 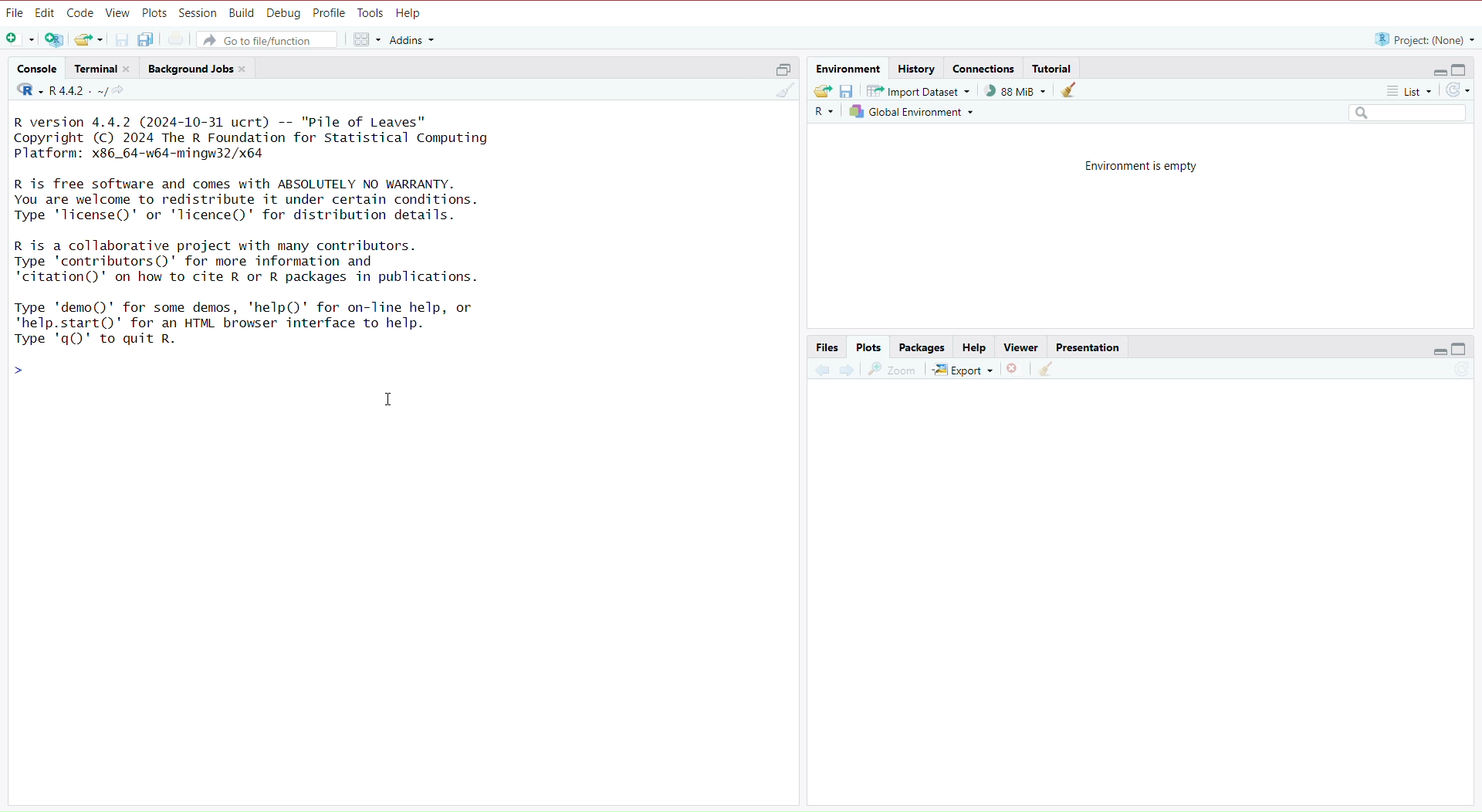 I want to click on clear all plot, so click(x=1048, y=370).